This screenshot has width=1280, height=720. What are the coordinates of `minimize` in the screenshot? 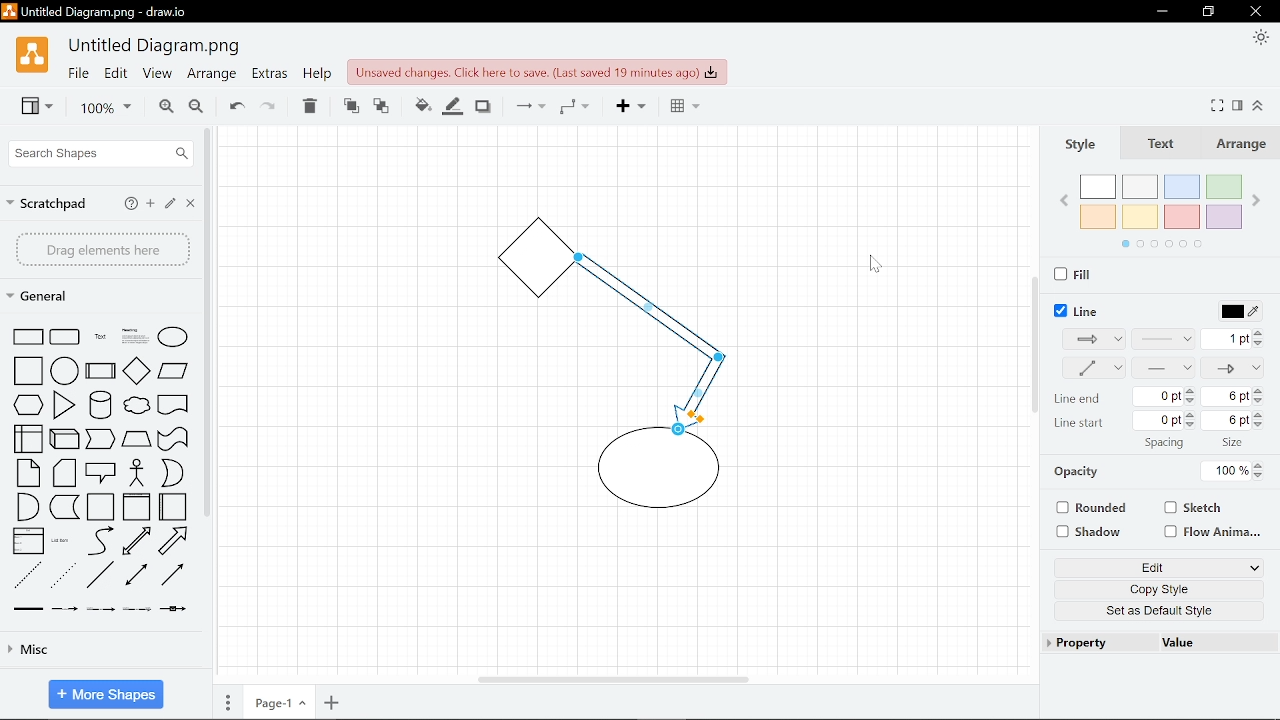 It's located at (1163, 11).